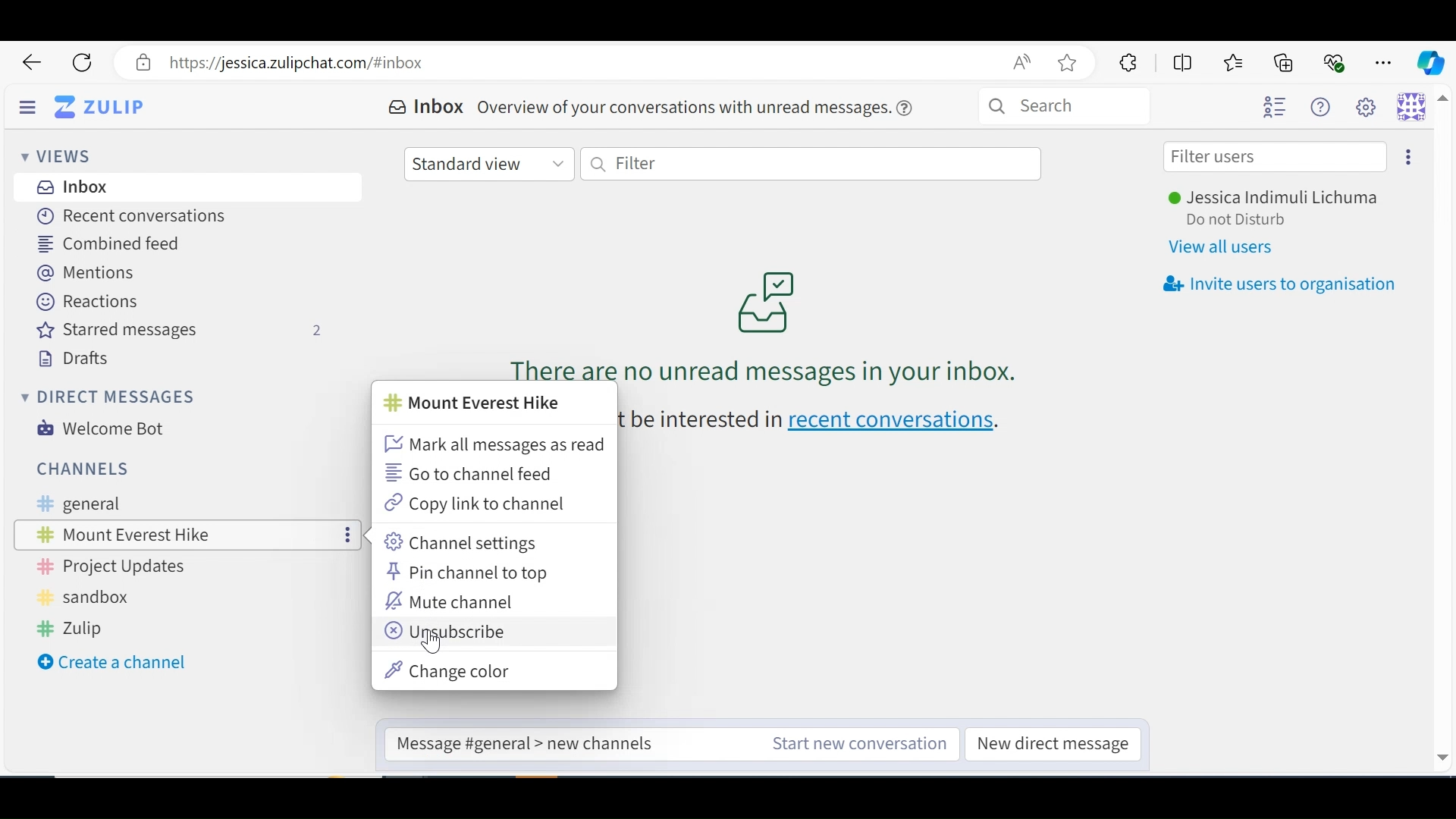  What do you see at coordinates (126, 215) in the screenshot?
I see `Recent Conversations` at bounding box center [126, 215].